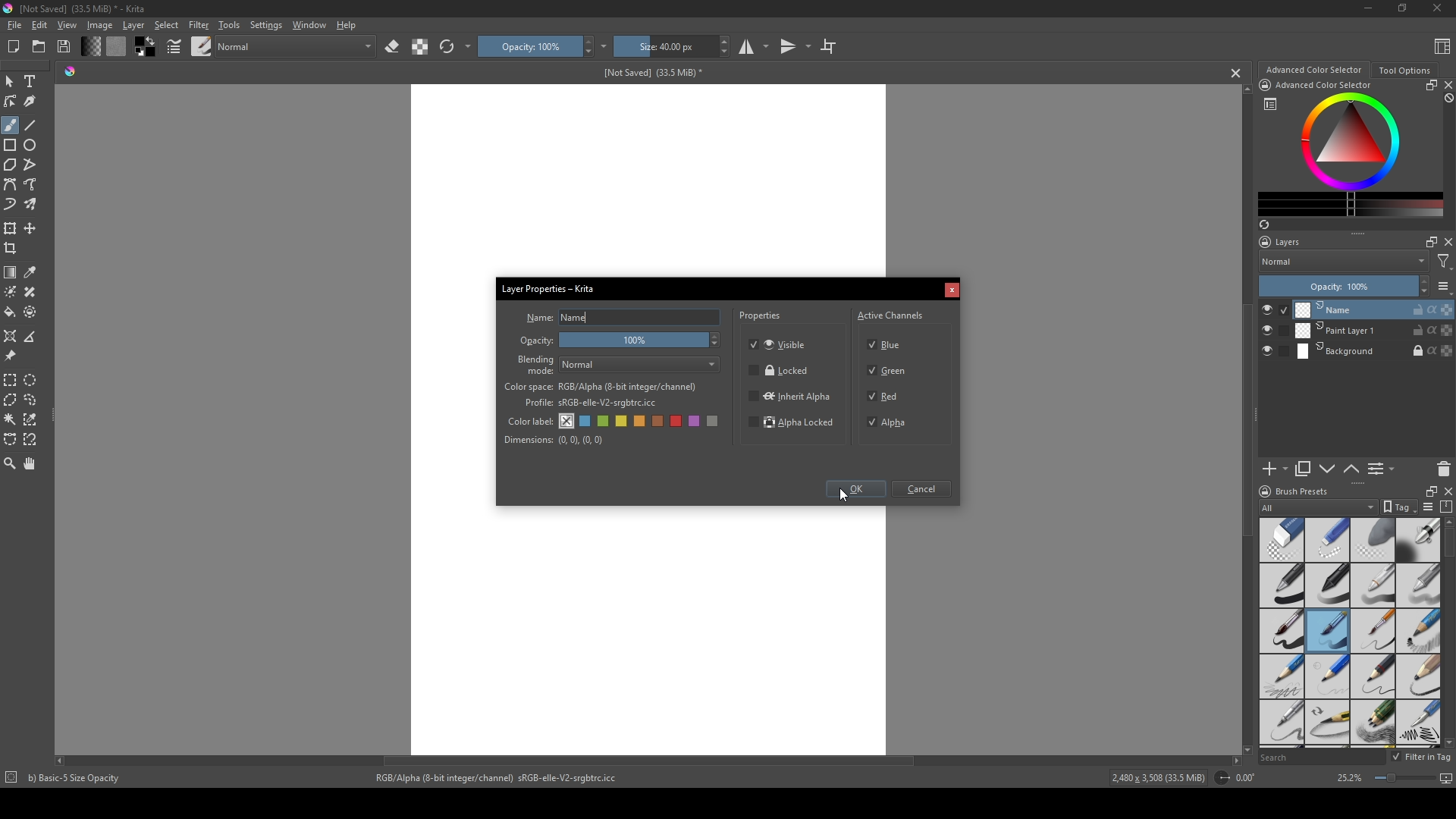 The width and height of the screenshot is (1456, 819). What do you see at coordinates (1274, 352) in the screenshot?
I see `check button` at bounding box center [1274, 352].